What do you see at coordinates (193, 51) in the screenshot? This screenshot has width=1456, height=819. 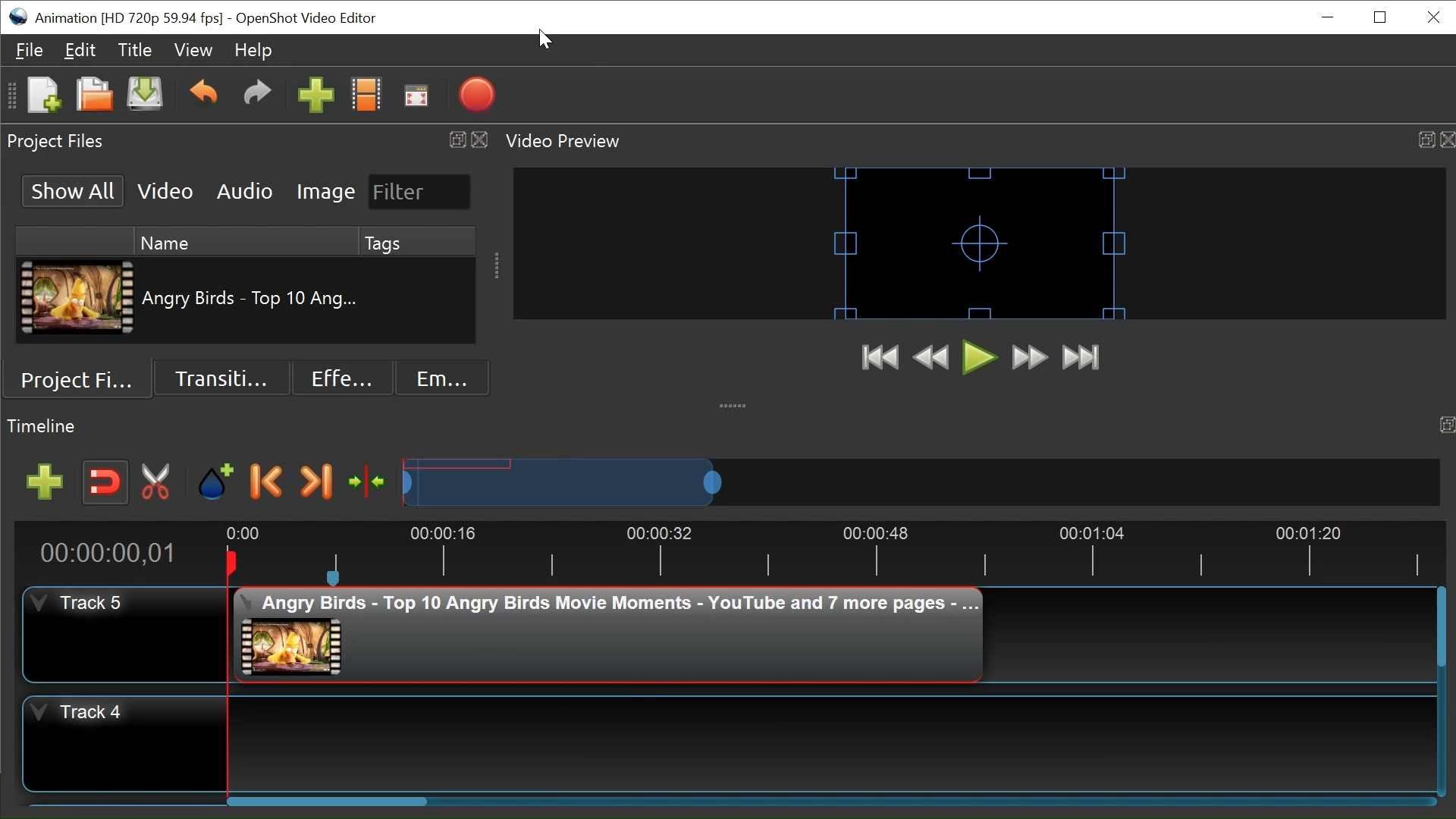 I see `View` at bounding box center [193, 51].